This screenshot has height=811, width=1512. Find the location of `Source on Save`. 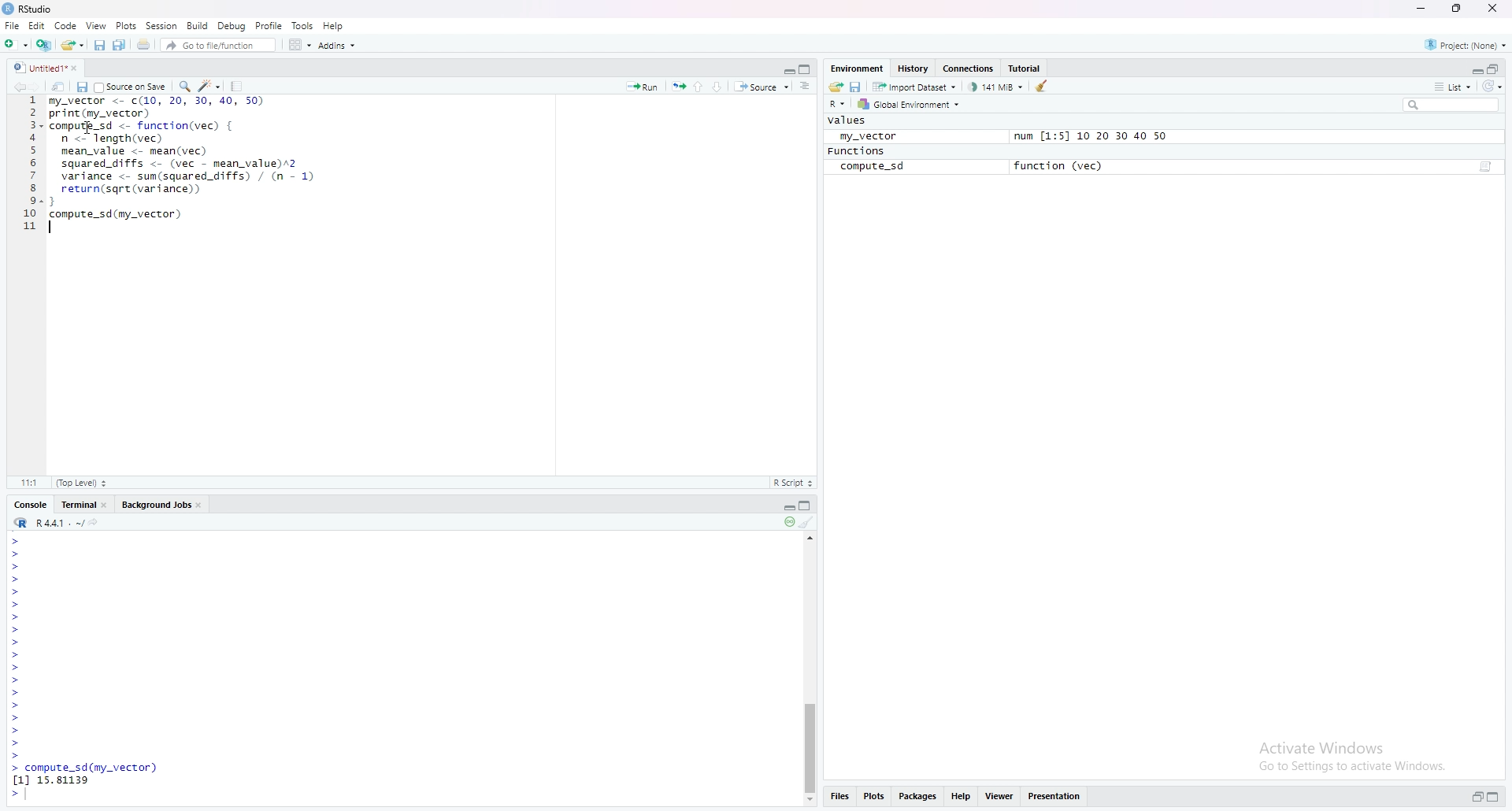

Source on Save is located at coordinates (130, 86).